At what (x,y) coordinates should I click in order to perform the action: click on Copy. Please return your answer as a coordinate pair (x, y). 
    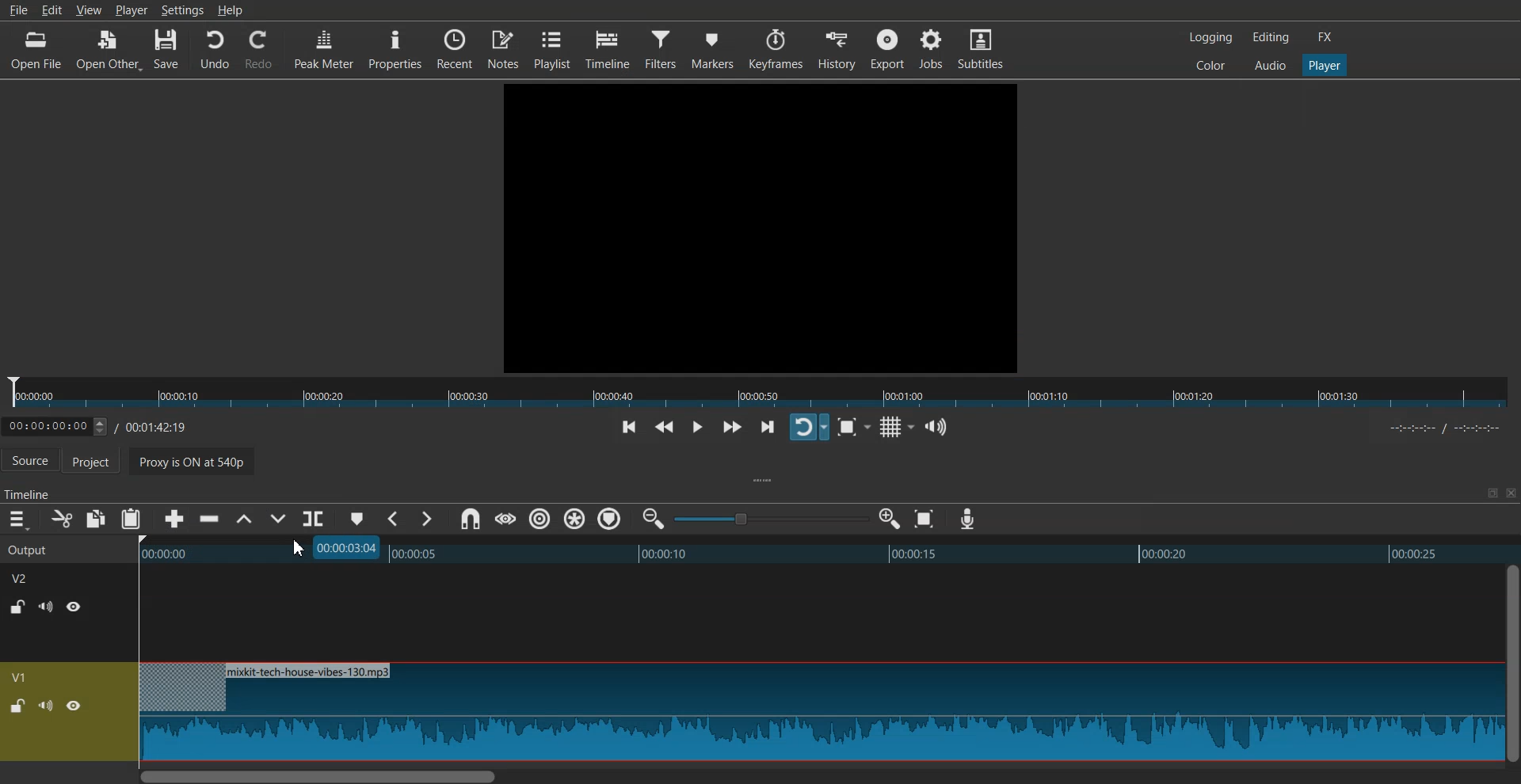
    Looking at the image, I should click on (97, 519).